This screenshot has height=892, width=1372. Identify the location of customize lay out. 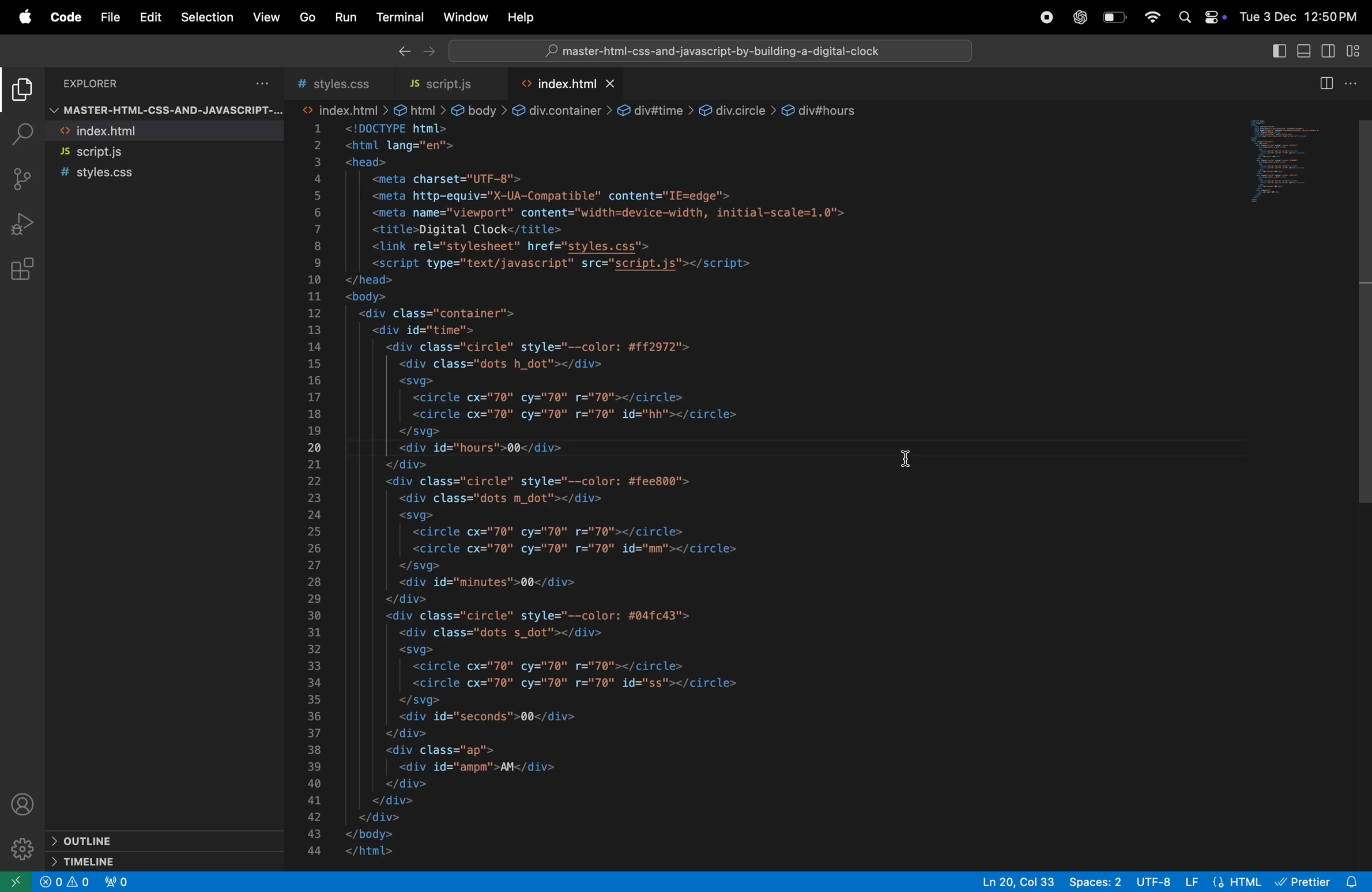
(1356, 50).